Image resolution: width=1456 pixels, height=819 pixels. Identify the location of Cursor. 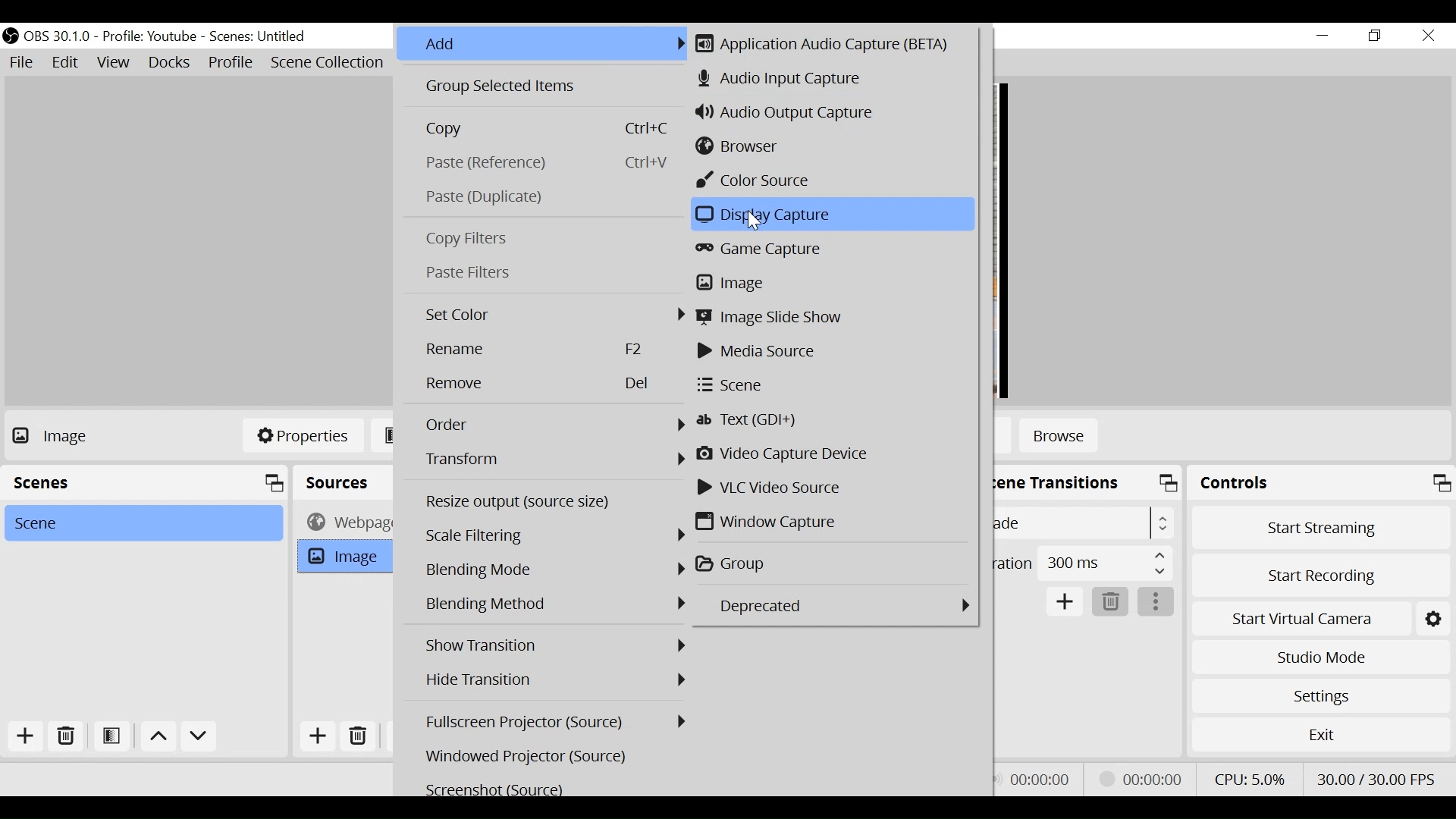
(752, 219).